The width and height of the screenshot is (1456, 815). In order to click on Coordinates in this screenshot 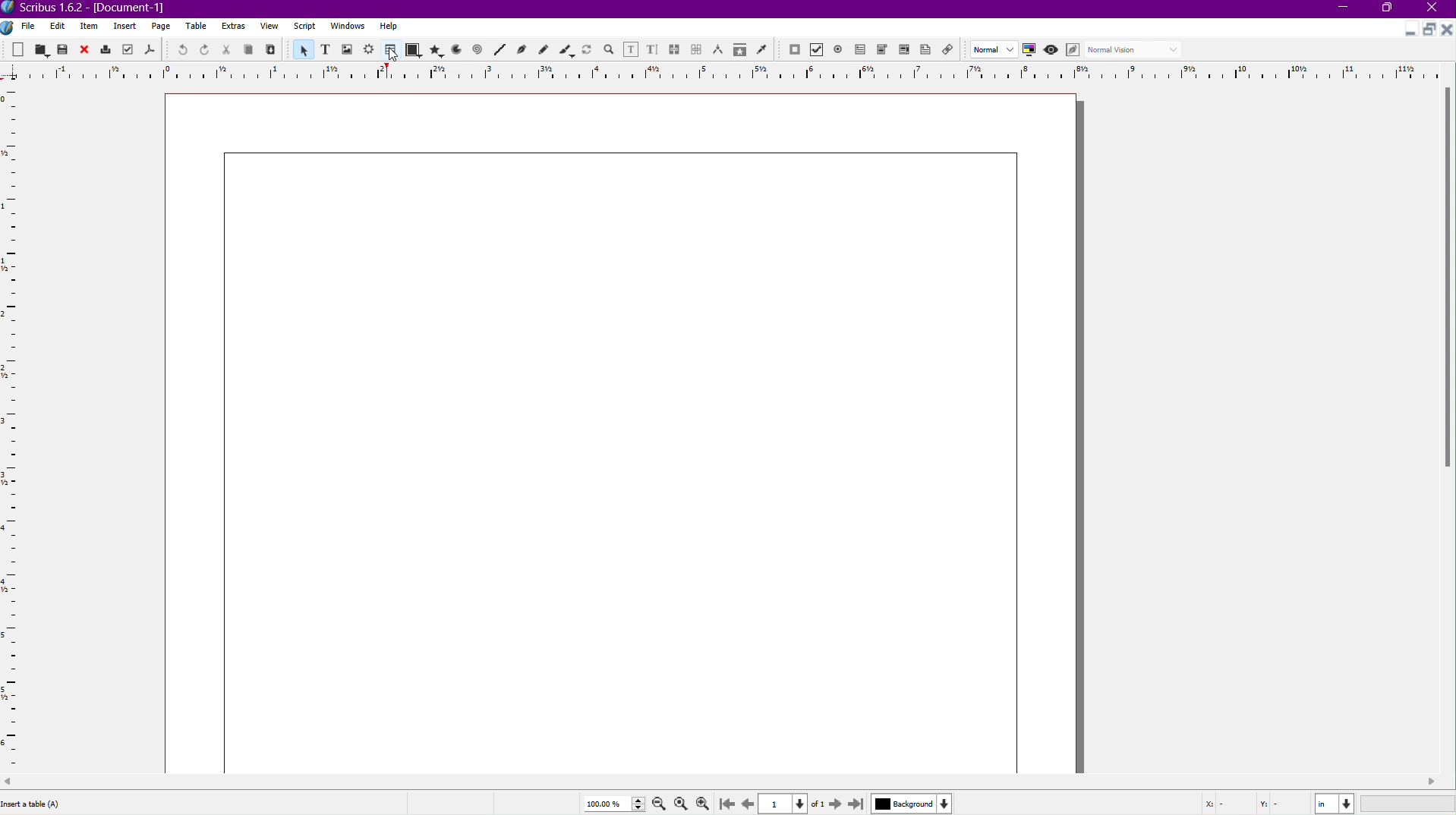, I will do `click(1325, 802)`.